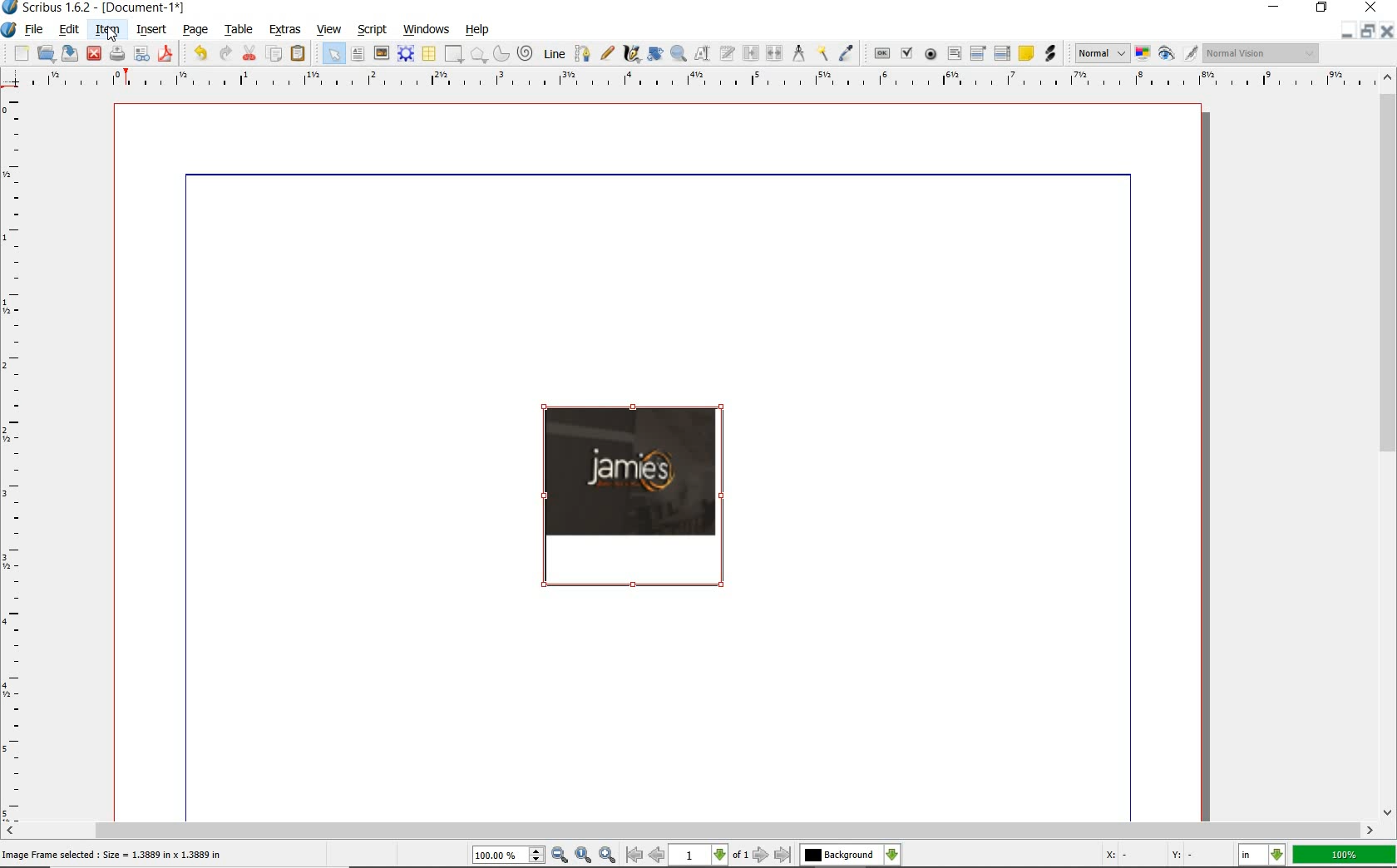 Image resolution: width=1397 pixels, height=868 pixels. What do you see at coordinates (381, 54) in the screenshot?
I see `image frame` at bounding box center [381, 54].